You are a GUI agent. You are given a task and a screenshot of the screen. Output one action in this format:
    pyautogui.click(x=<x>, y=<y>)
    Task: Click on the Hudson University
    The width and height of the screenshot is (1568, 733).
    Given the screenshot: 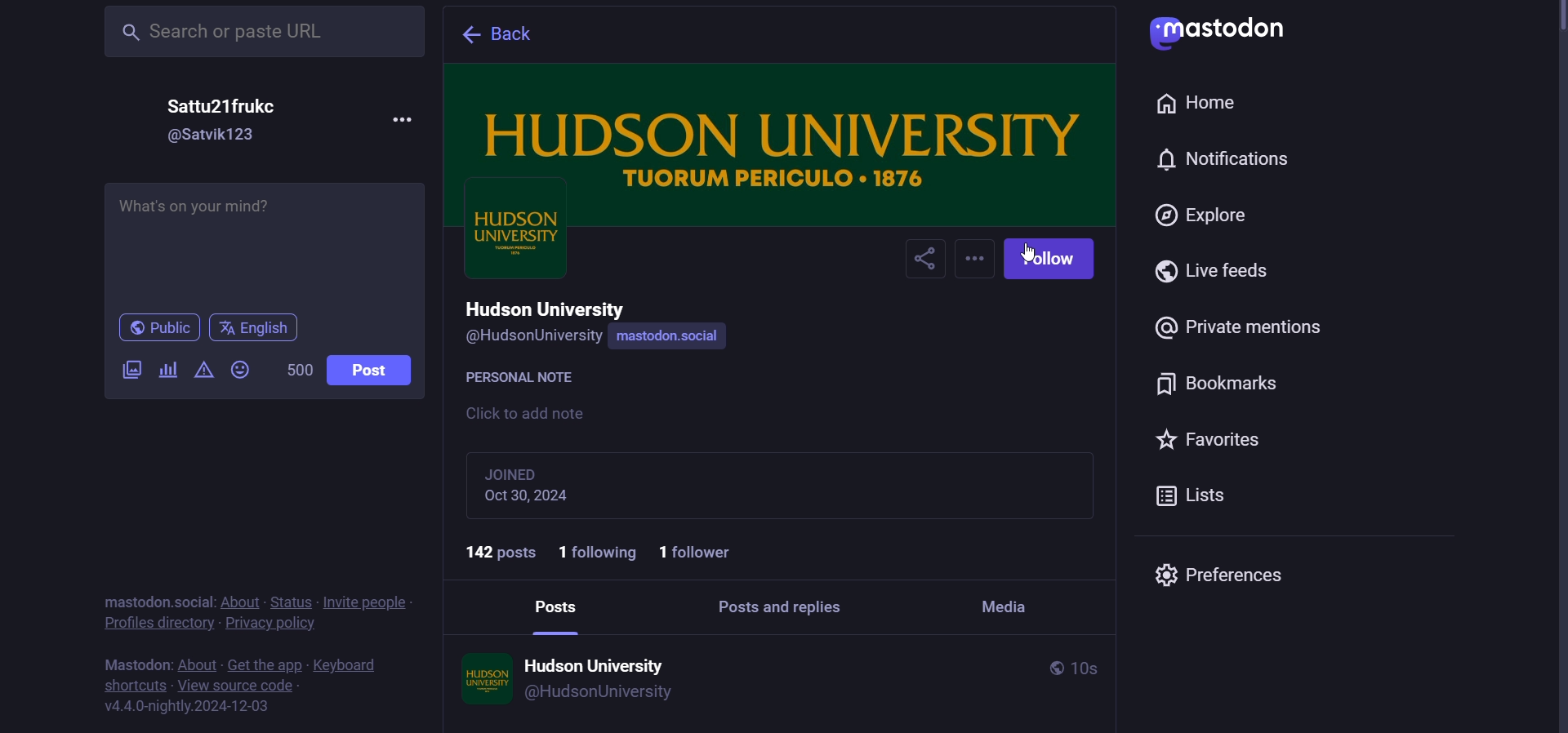 What is the action you would take?
    pyautogui.click(x=550, y=306)
    